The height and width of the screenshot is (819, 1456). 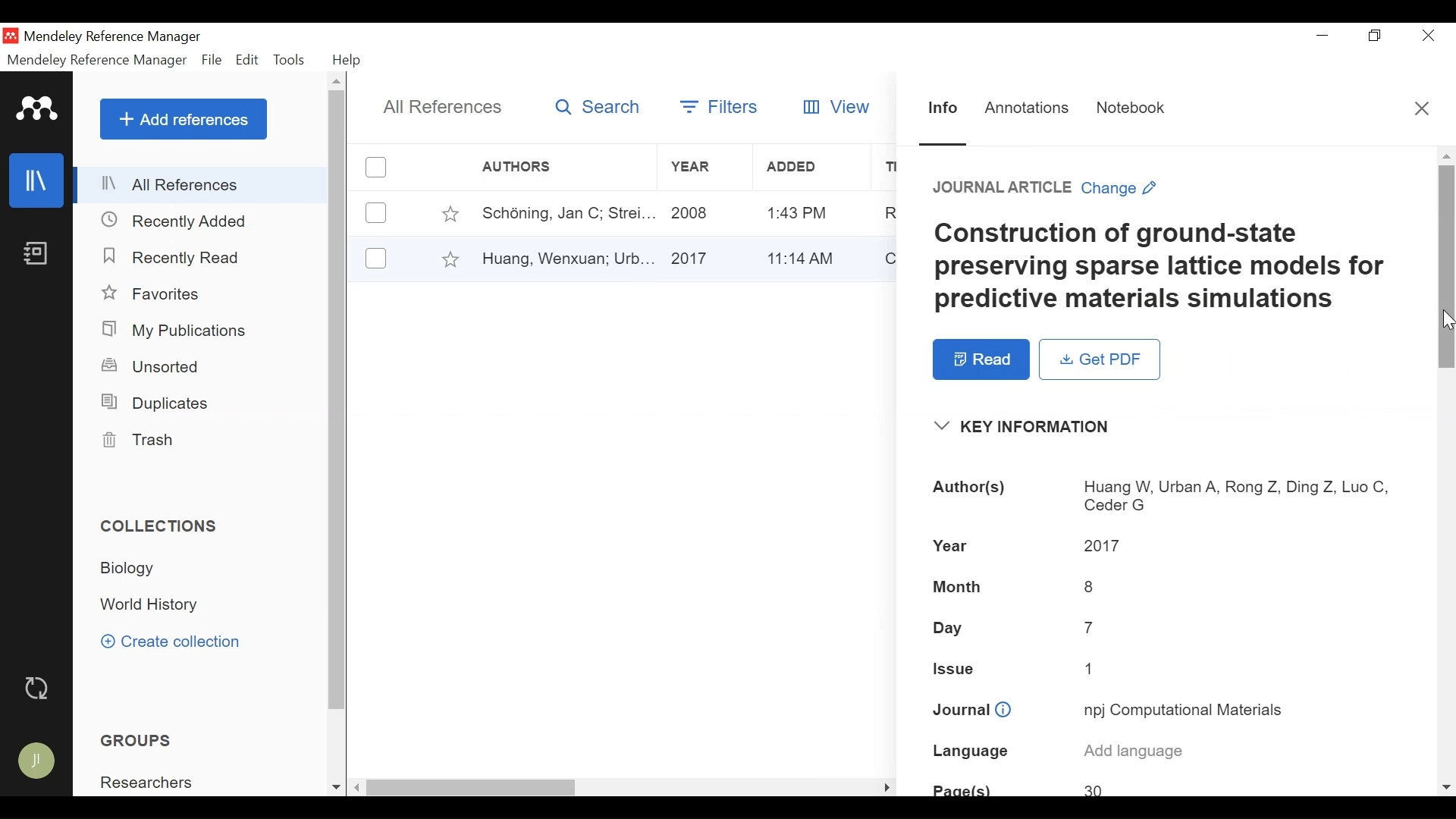 I want to click on Collection, so click(x=152, y=606).